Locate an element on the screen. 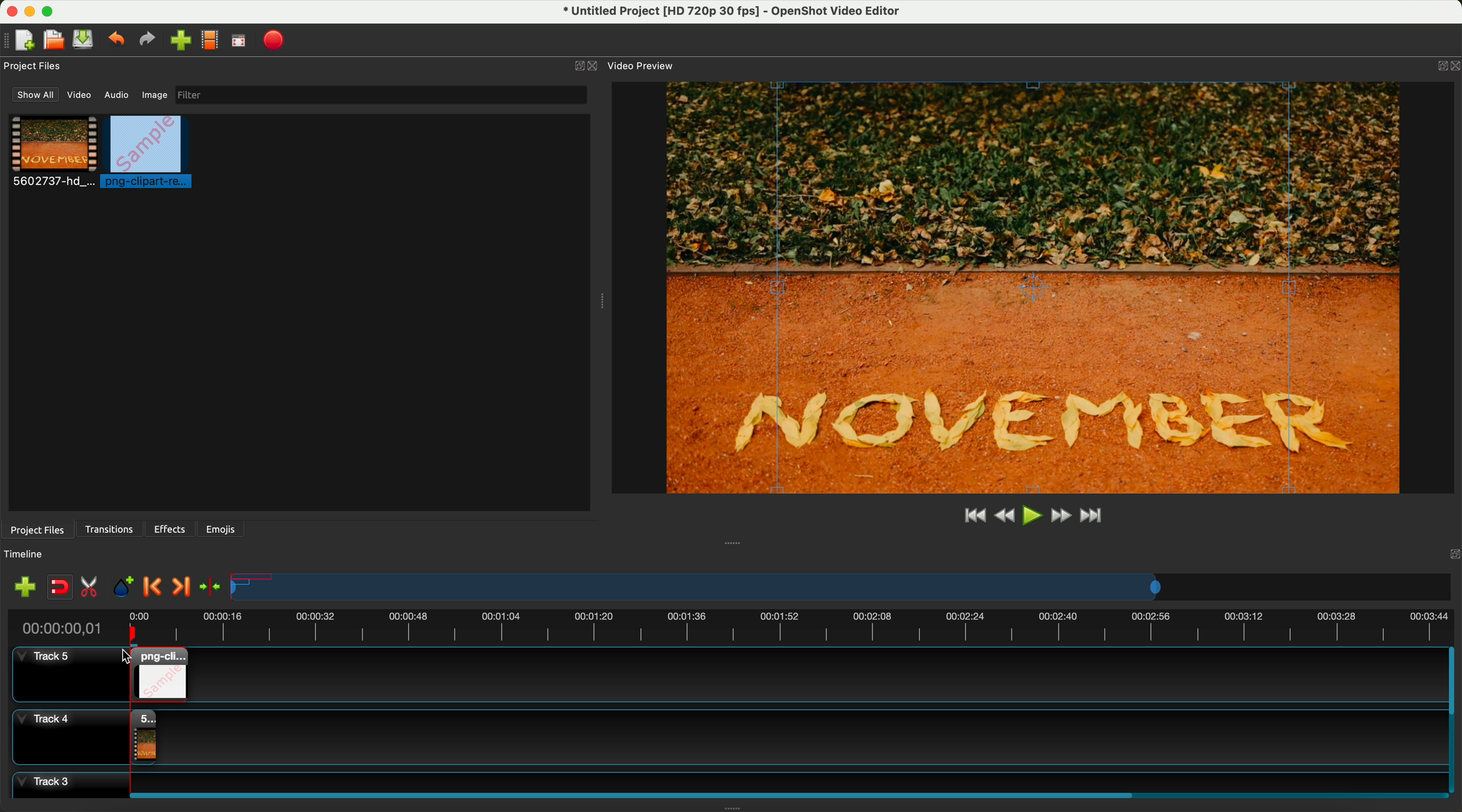 The image size is (1462, 812). jump to start is located at coordinates (975, 516).